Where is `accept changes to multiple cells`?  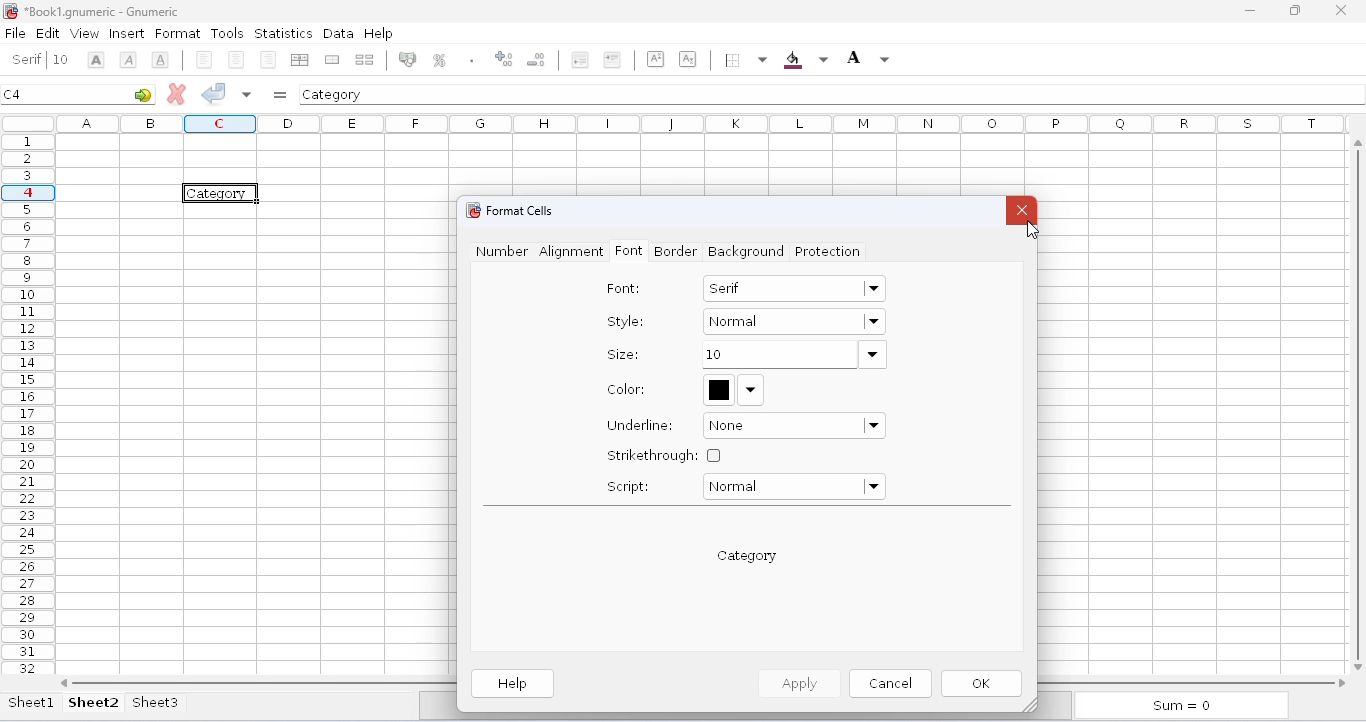 accept changes to multiple cells is located at coordinates (247, 94).